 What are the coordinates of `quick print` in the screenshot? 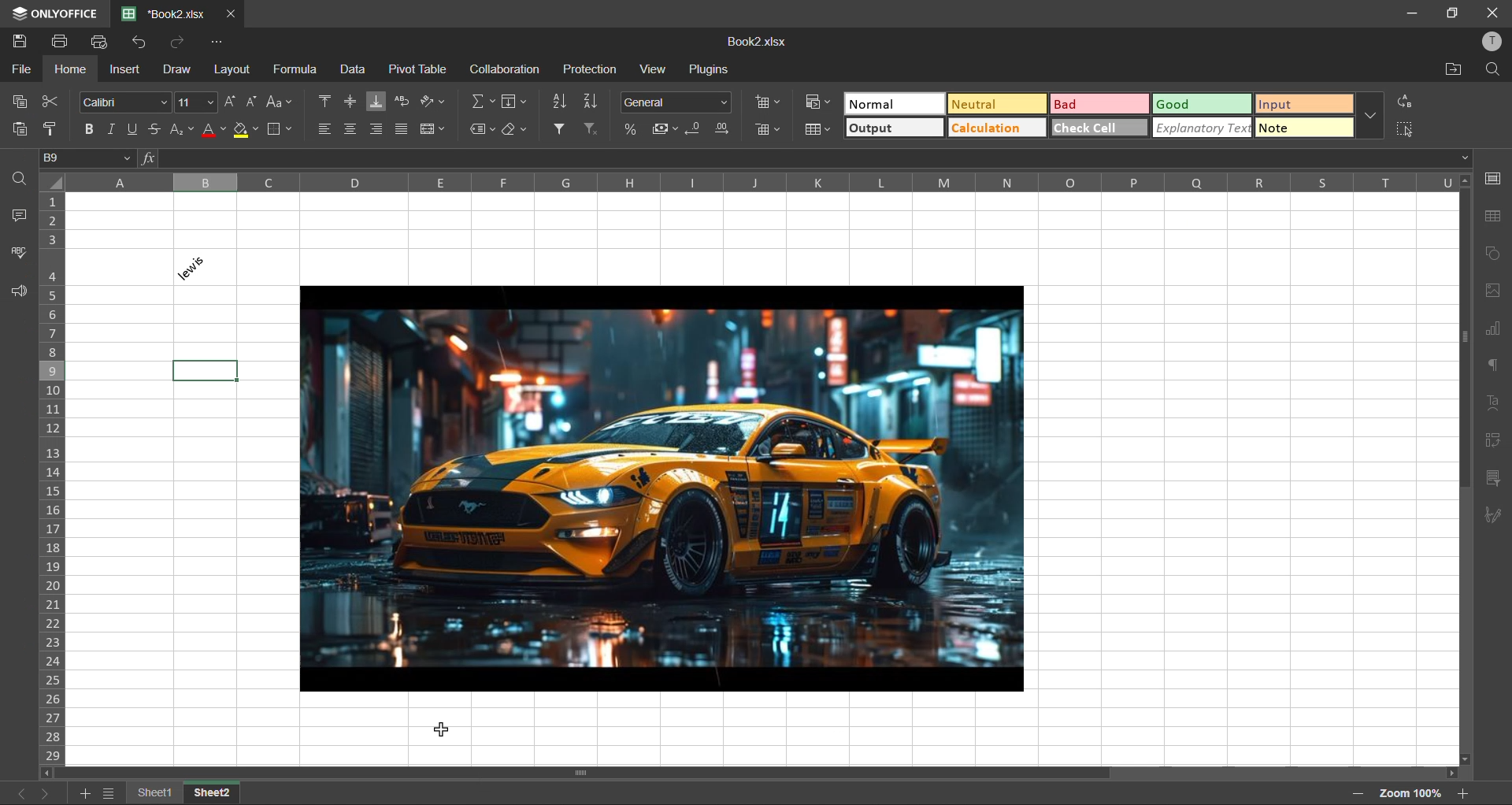 It's located at (102, 43).